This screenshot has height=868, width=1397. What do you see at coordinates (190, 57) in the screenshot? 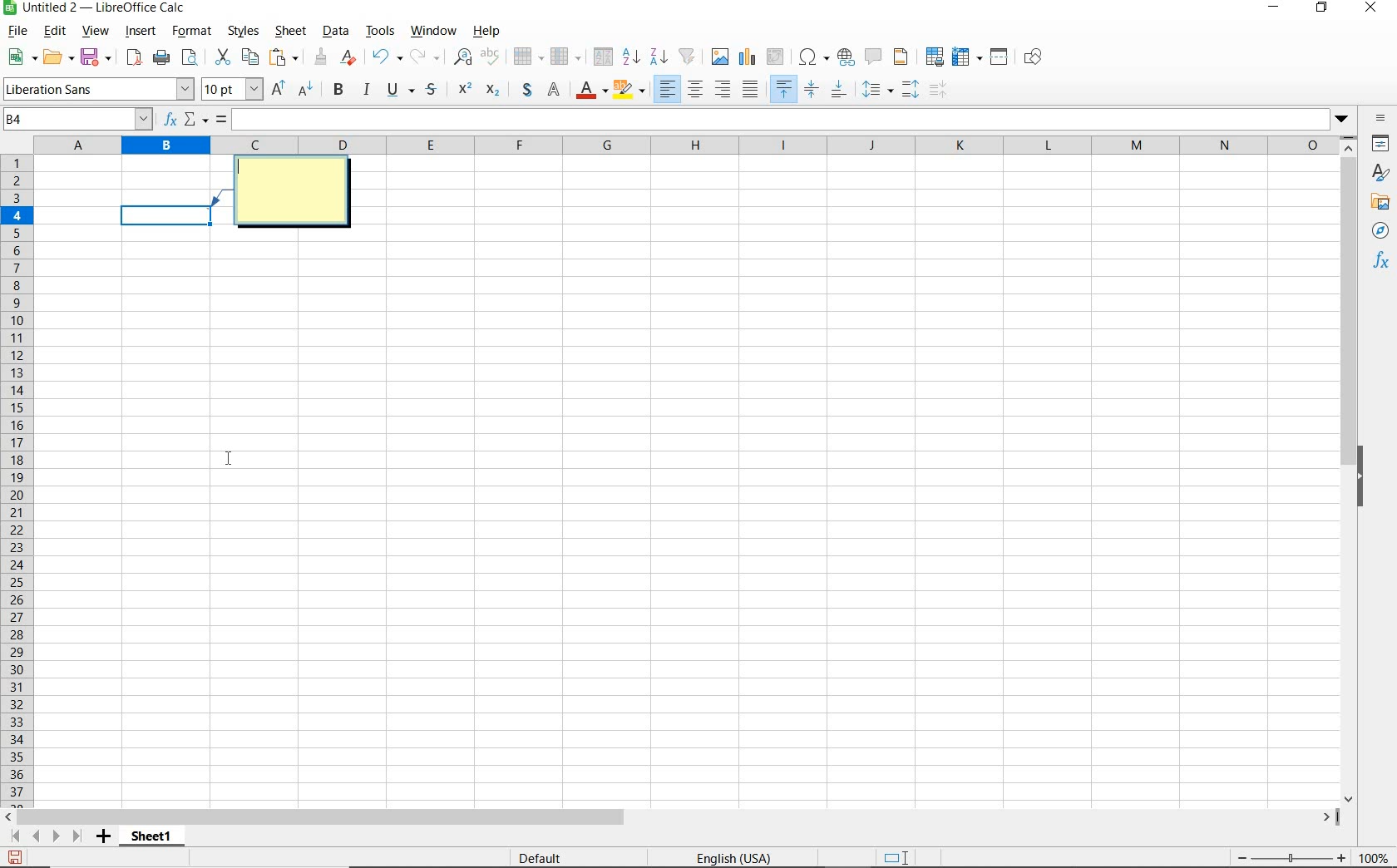
I see `toggle print preview` at bounding box center [190, 57].